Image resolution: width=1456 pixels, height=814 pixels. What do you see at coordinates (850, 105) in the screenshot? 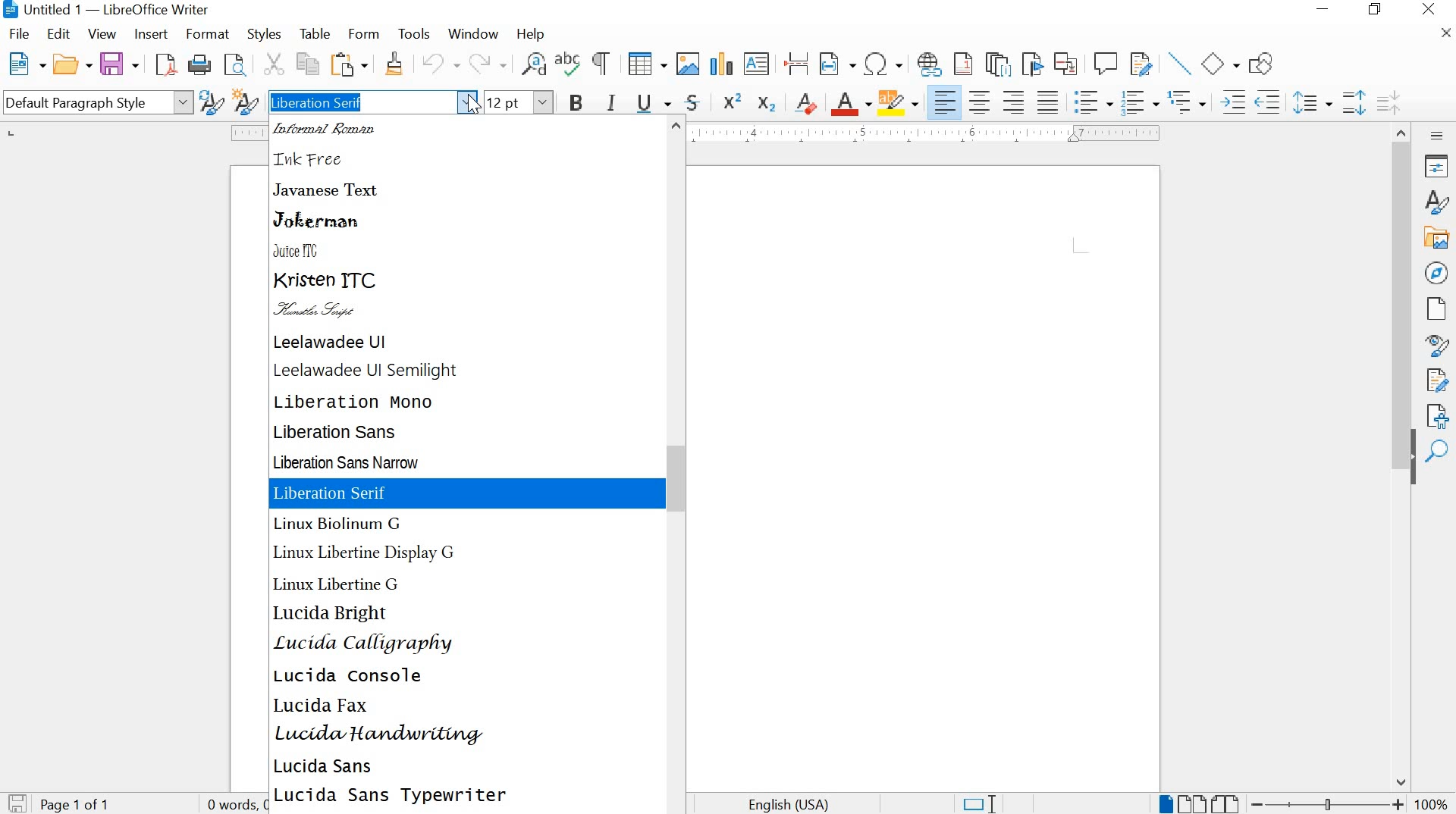
I see `FONT COLOR` at bounding box center [850, 105].